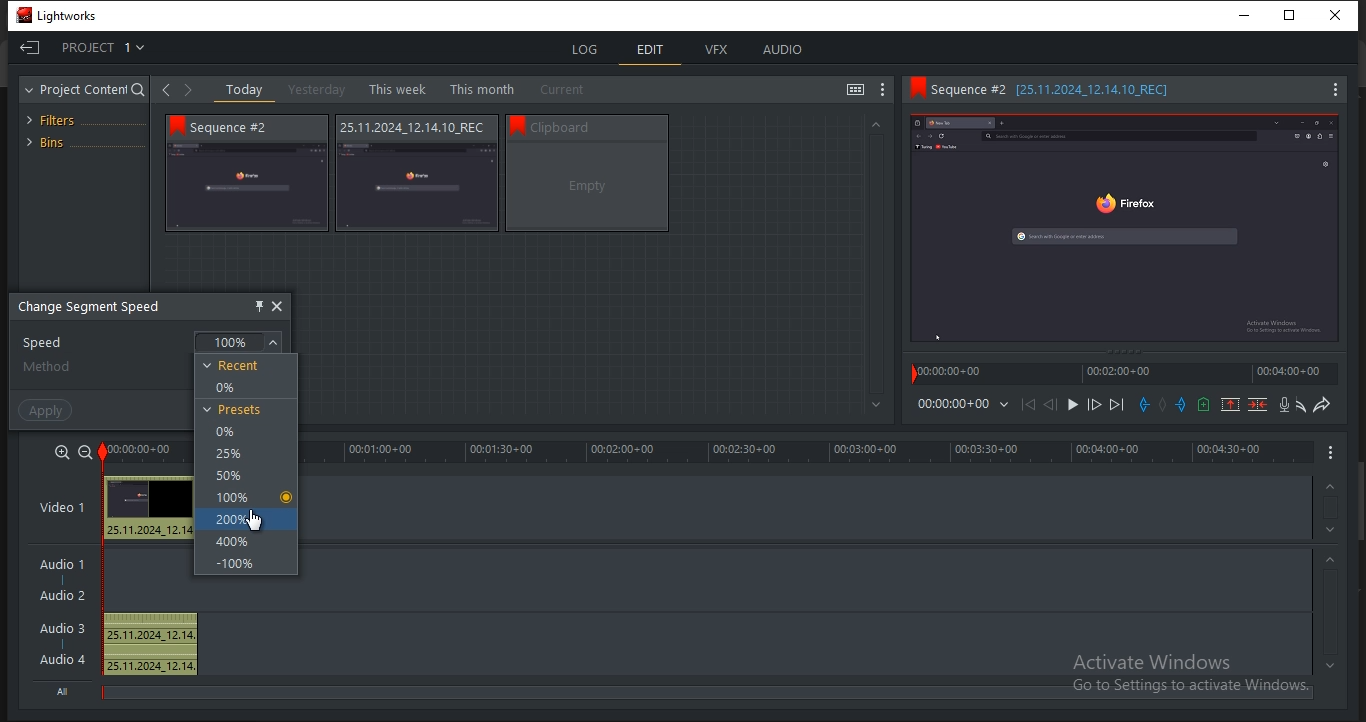  Describe the element at coordinates (1119, 405) in the screenshot. I see `move forward` at that location.